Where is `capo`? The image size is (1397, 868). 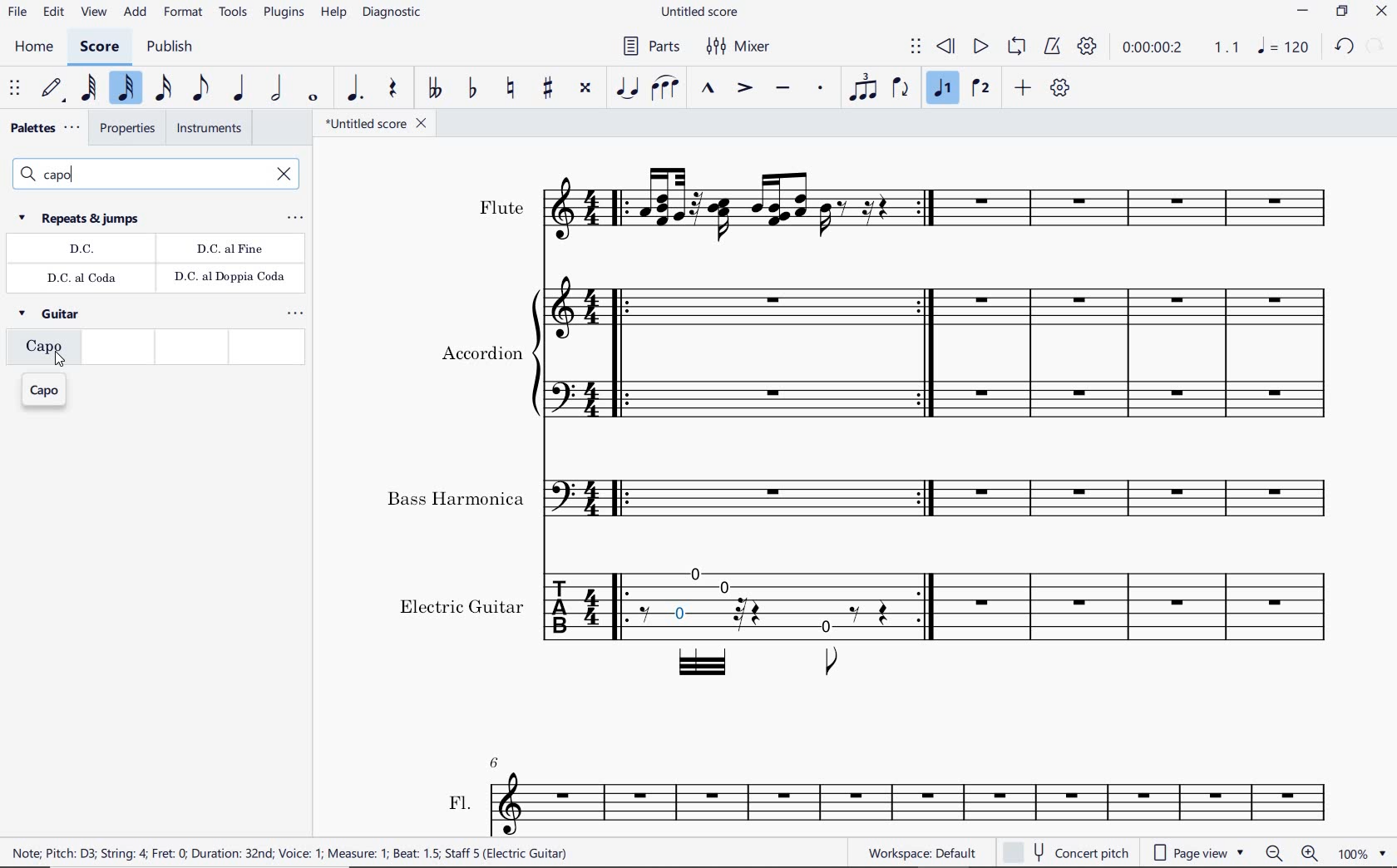 capo is located at coordinates (42, 351).